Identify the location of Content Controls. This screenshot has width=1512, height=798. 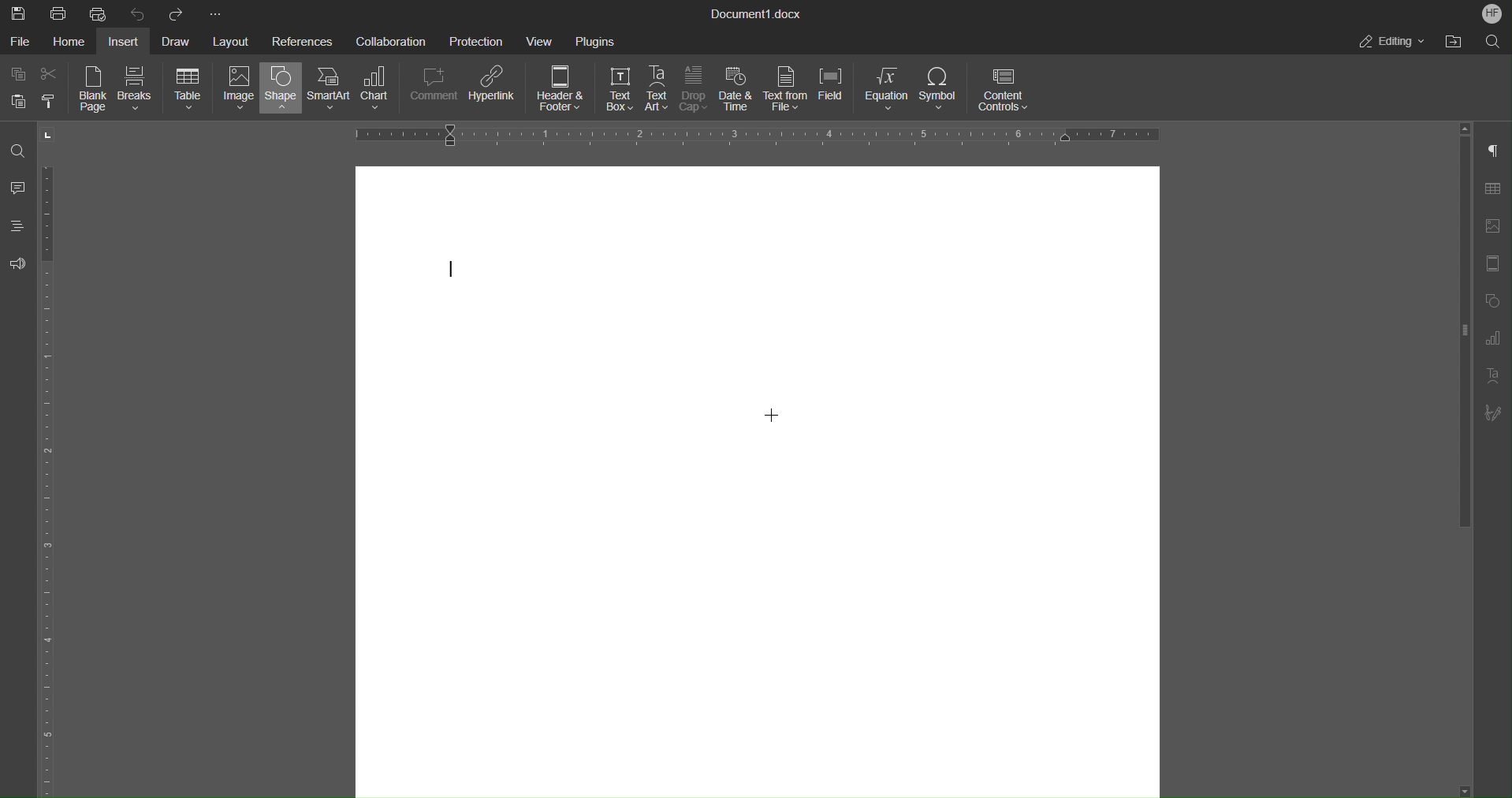
(1005, 91).